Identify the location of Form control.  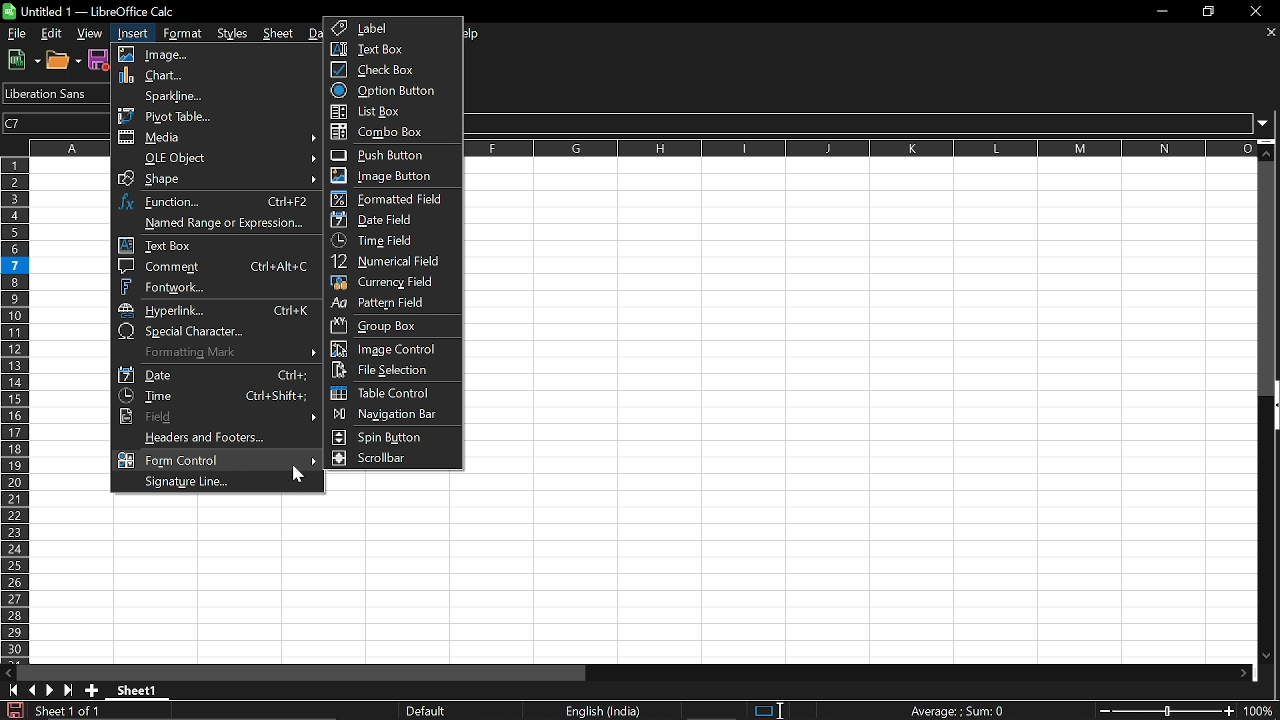
(217, 460).